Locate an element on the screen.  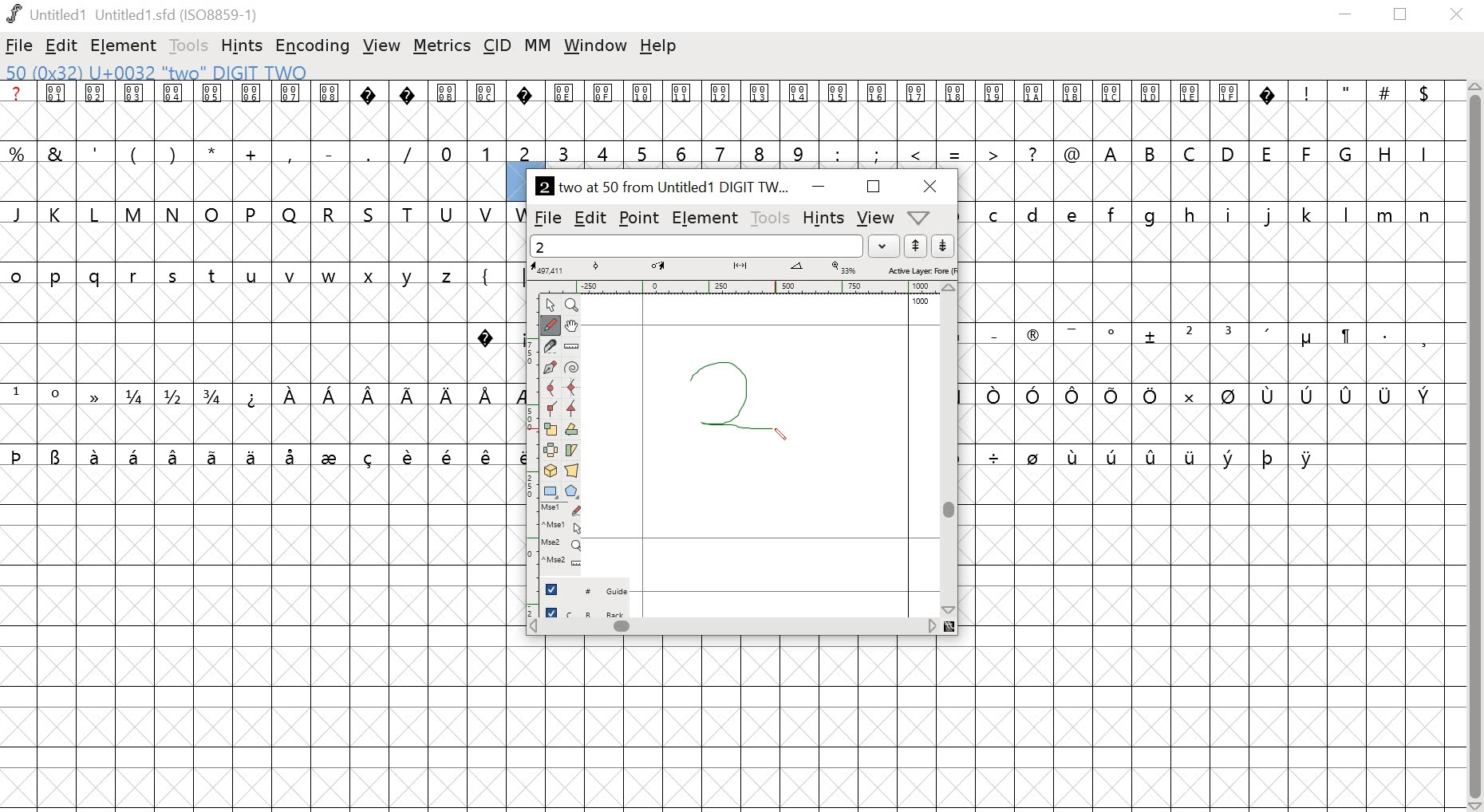
minimize is located at coordinates (819, 184).